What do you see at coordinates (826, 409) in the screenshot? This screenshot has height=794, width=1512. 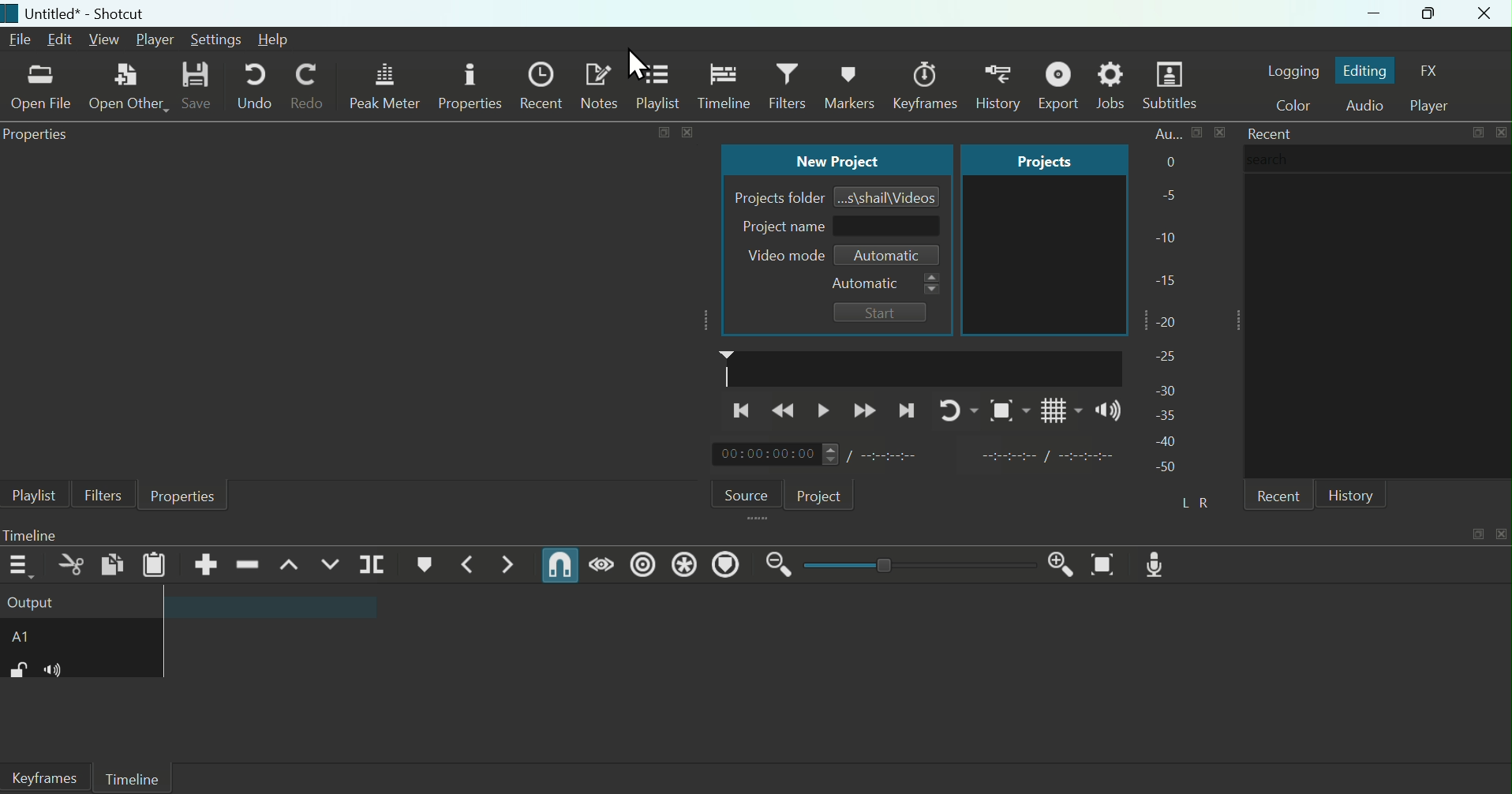 I see `Play/Pause` at bounding box center [826, 409].